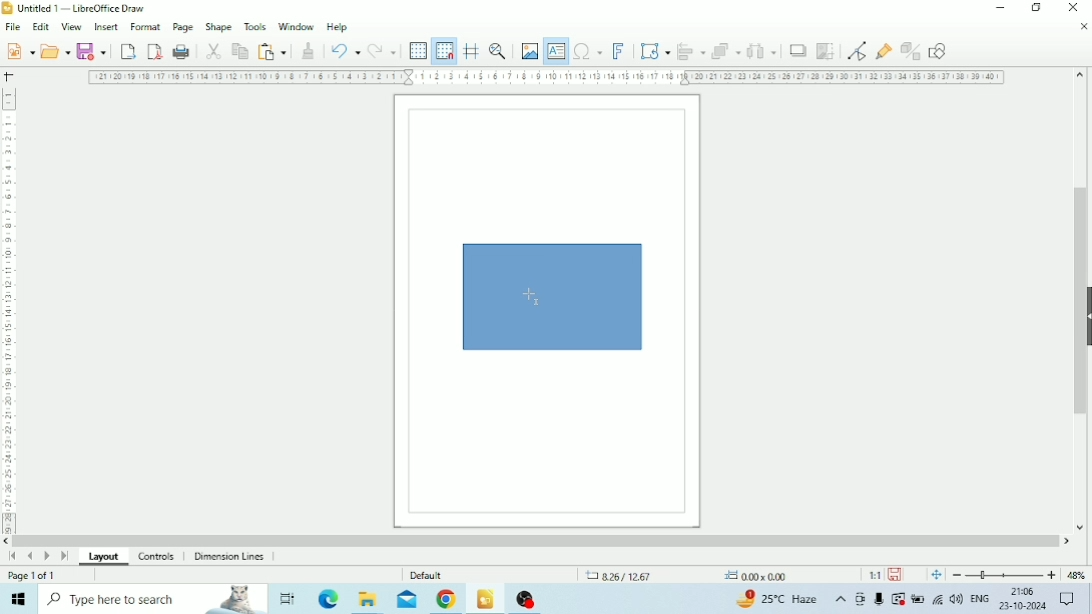 The width and height of the screenshot is (1092, 614). What do you see at coordinates (18, 51) in the screenshot?
I see `New` at bounding box center [18, 51].